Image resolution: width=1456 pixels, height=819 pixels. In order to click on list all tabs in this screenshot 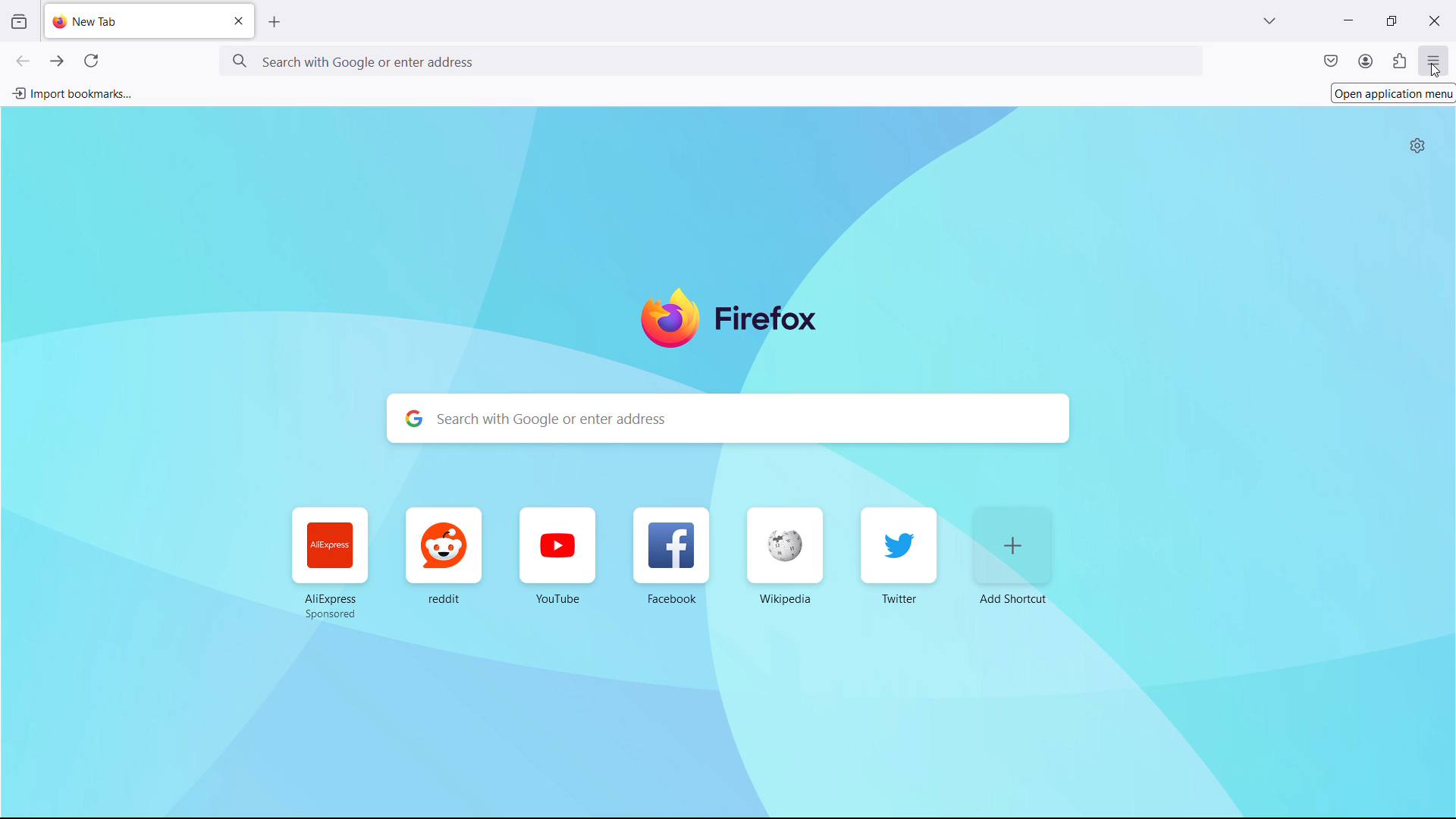, I will do `click(1269, 19)`.